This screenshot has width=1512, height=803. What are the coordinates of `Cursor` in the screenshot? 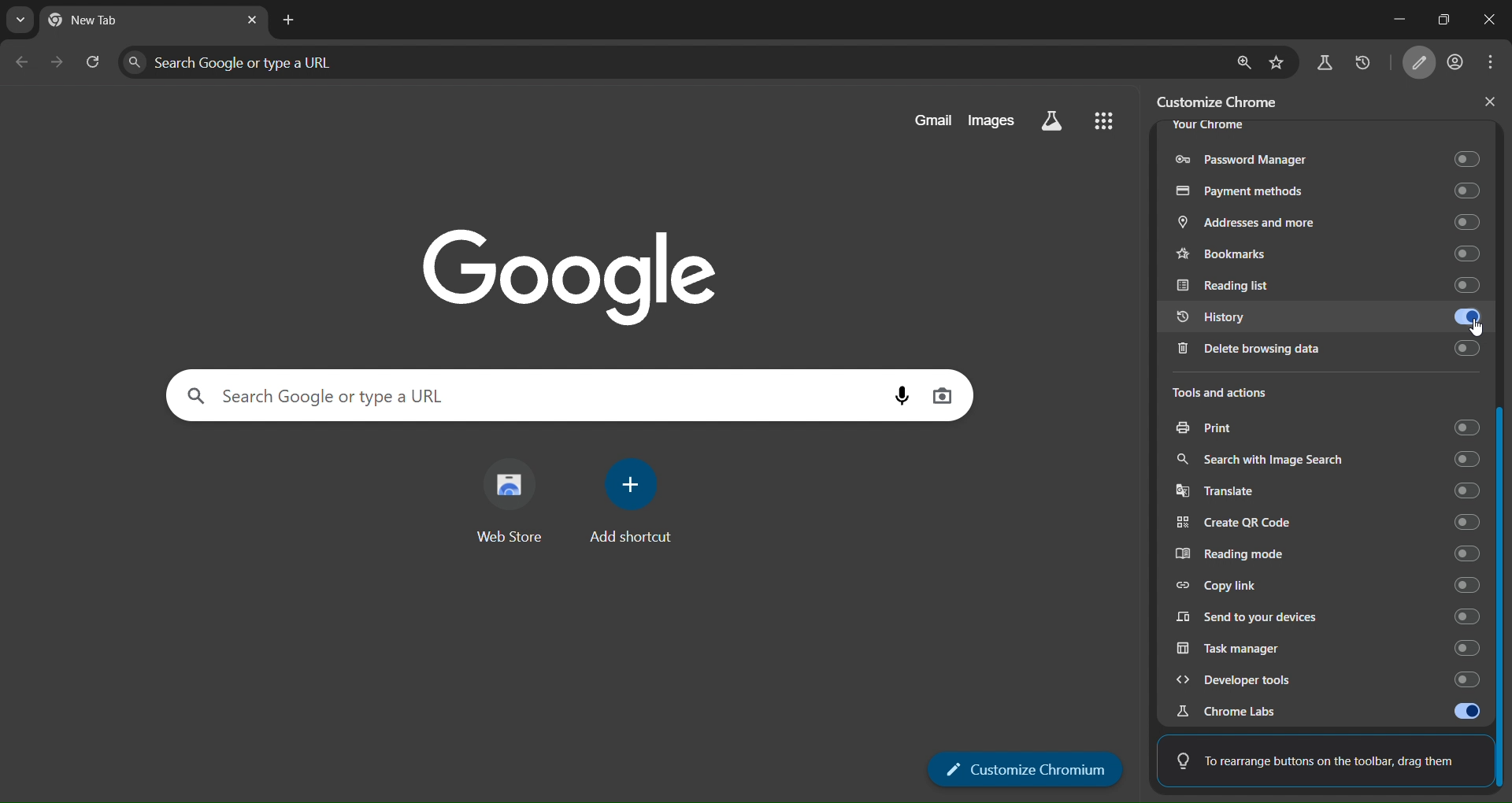 It's located at (1477, 327).